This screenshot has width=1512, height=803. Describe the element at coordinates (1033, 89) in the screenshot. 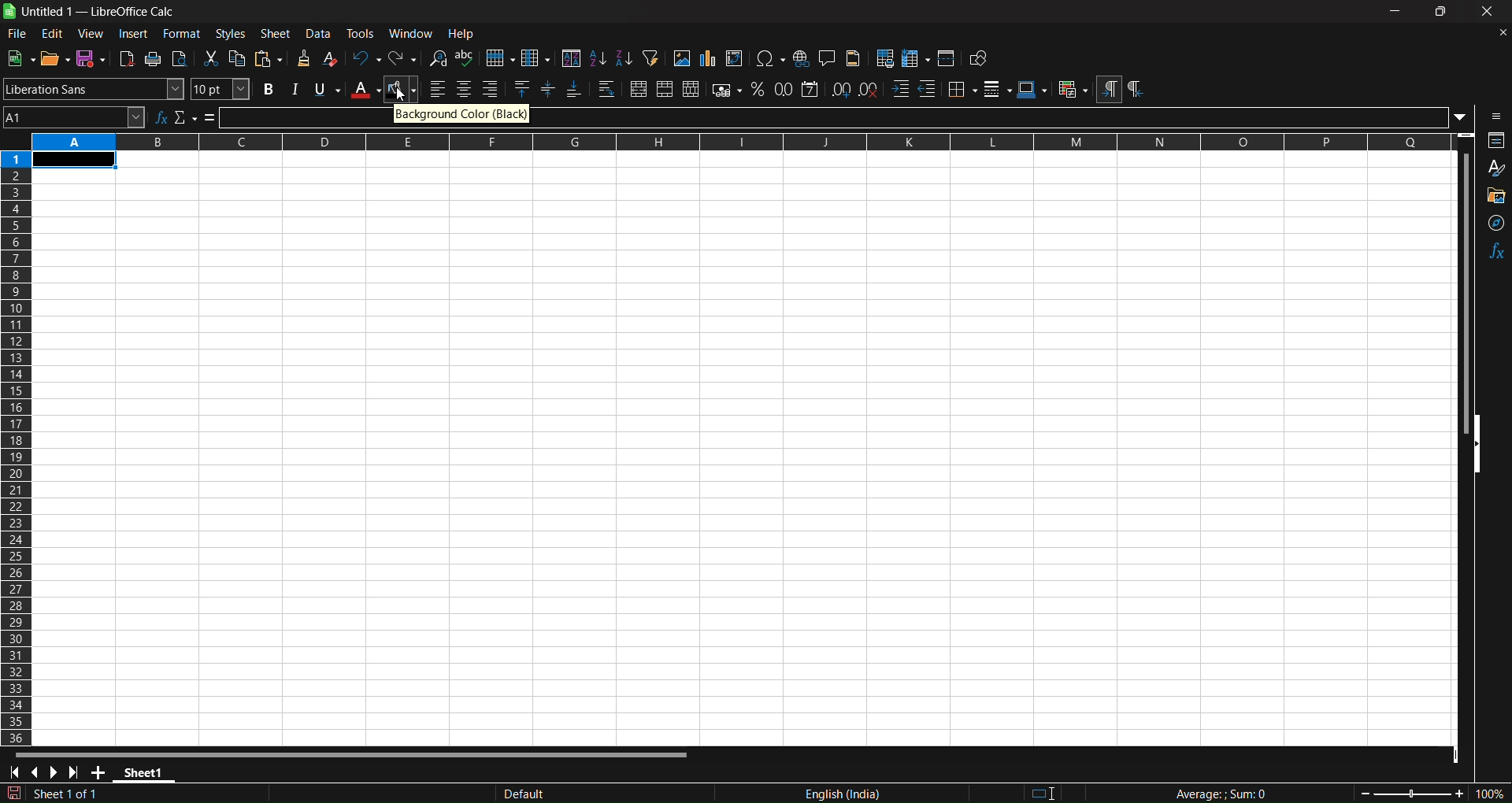

I see `border color` at that location.